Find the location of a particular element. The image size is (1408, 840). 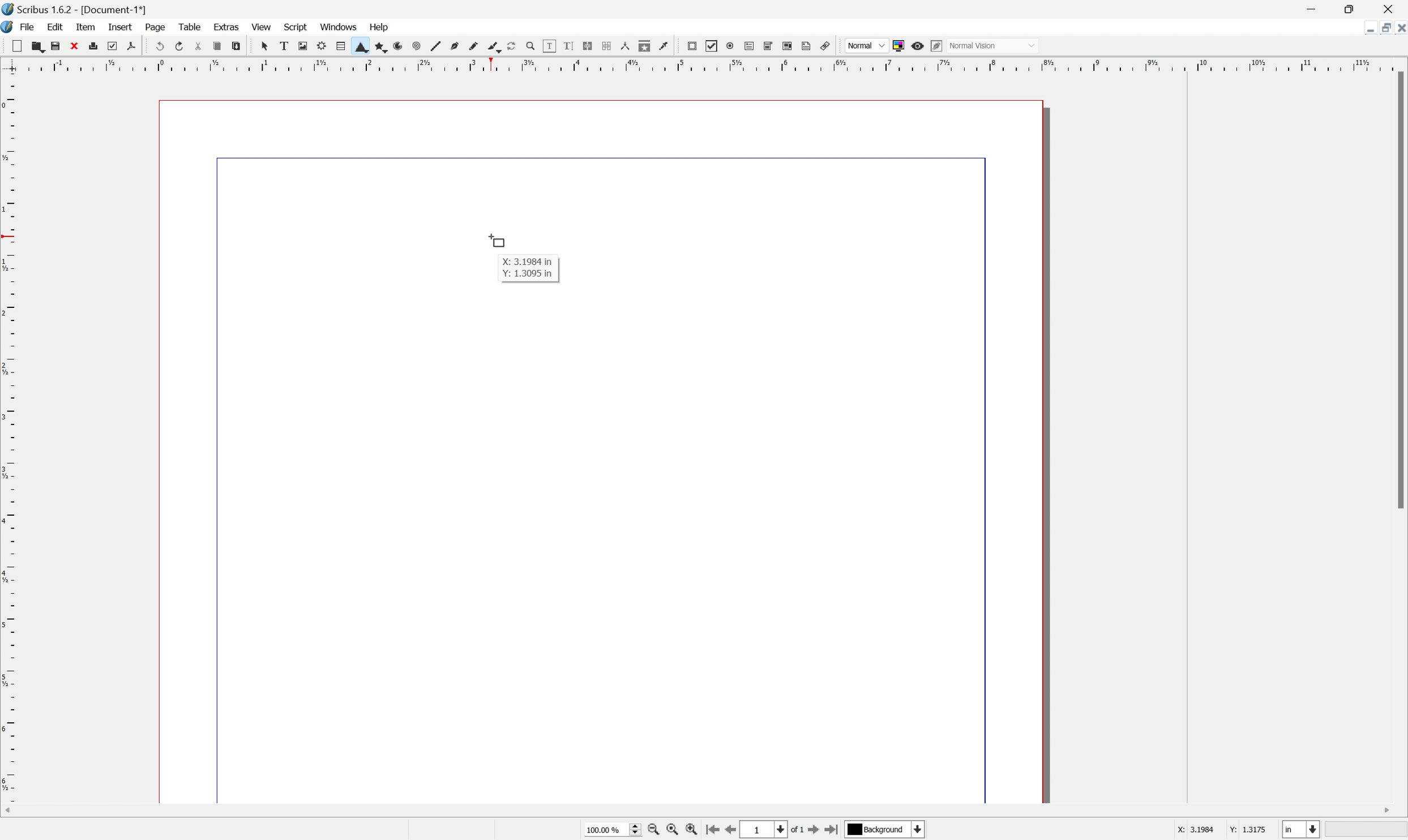

PDF combo box is located at coordinates (768, 46).